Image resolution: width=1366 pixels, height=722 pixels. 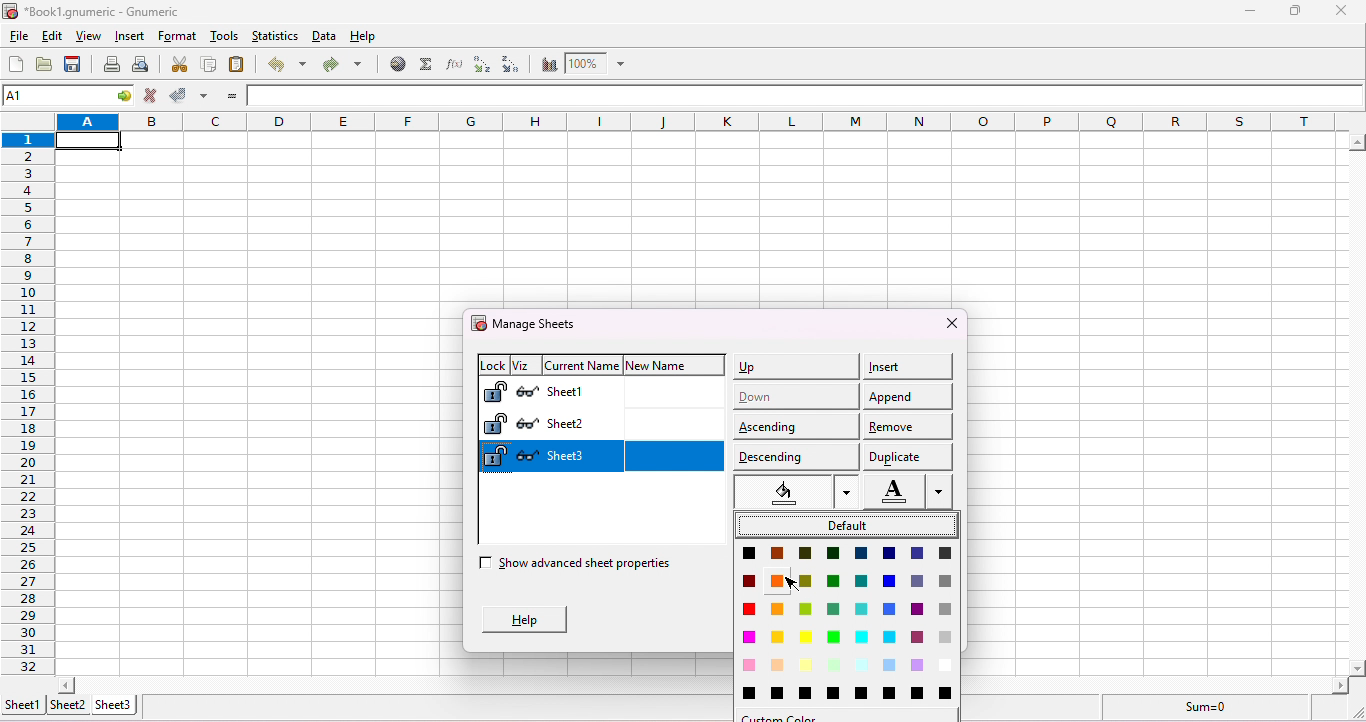 I want to click on maximize, so click(x=1292, y=10).